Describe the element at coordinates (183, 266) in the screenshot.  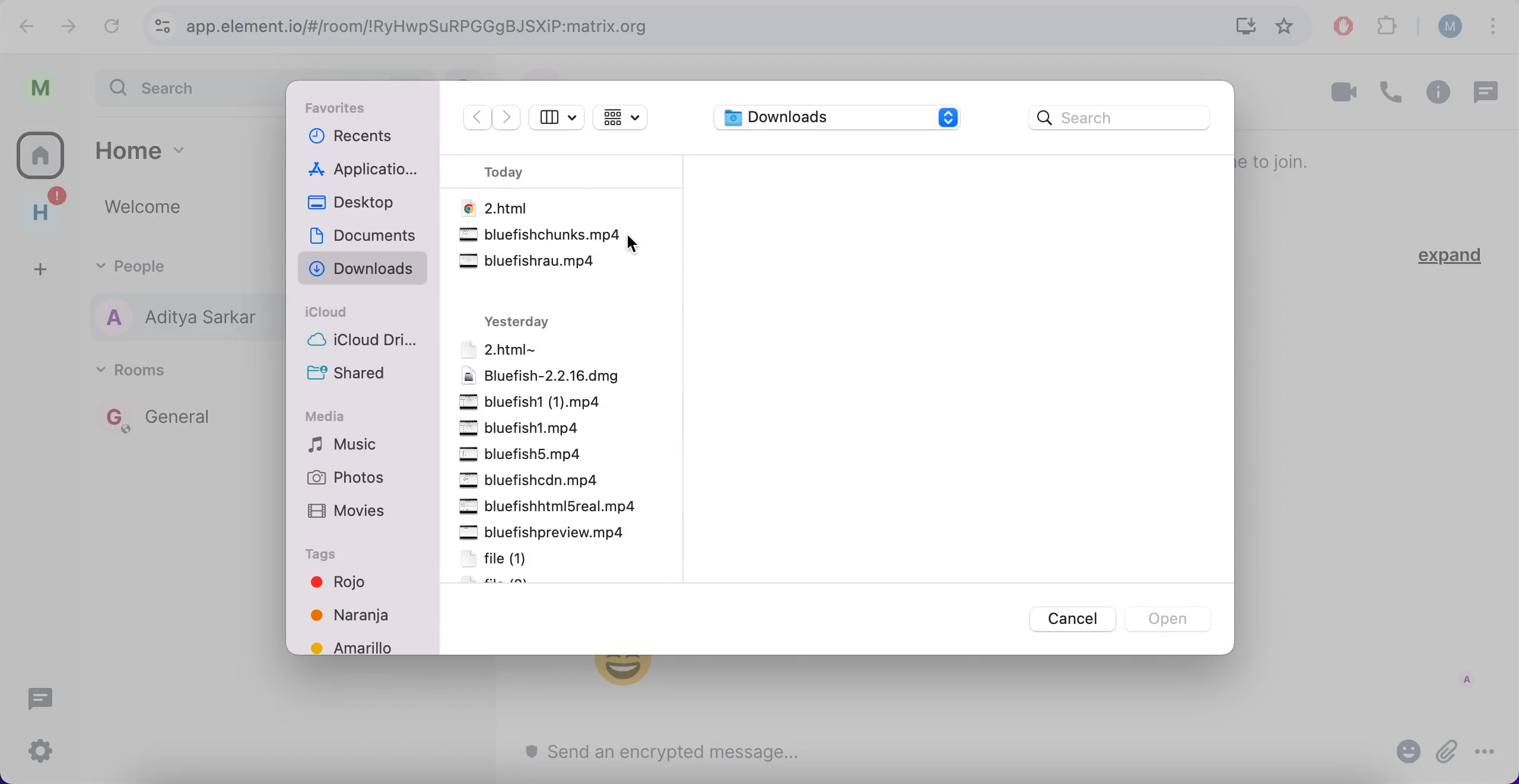
I see `people` at that location.